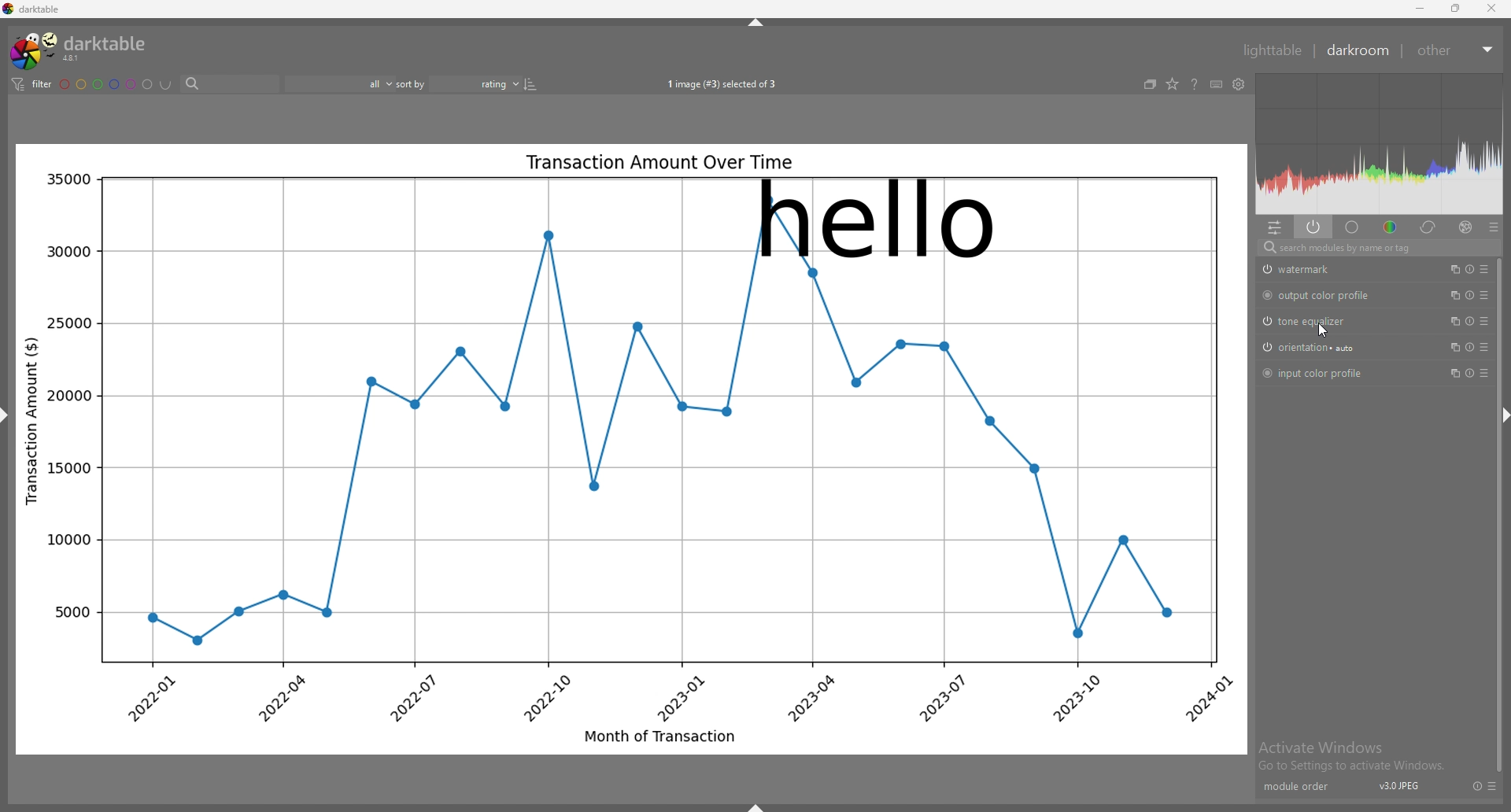 This screenshot has height=812, width=1511. Describe the element at coordinates (664, 463) in the screenshot. I see `graph line` at that location.